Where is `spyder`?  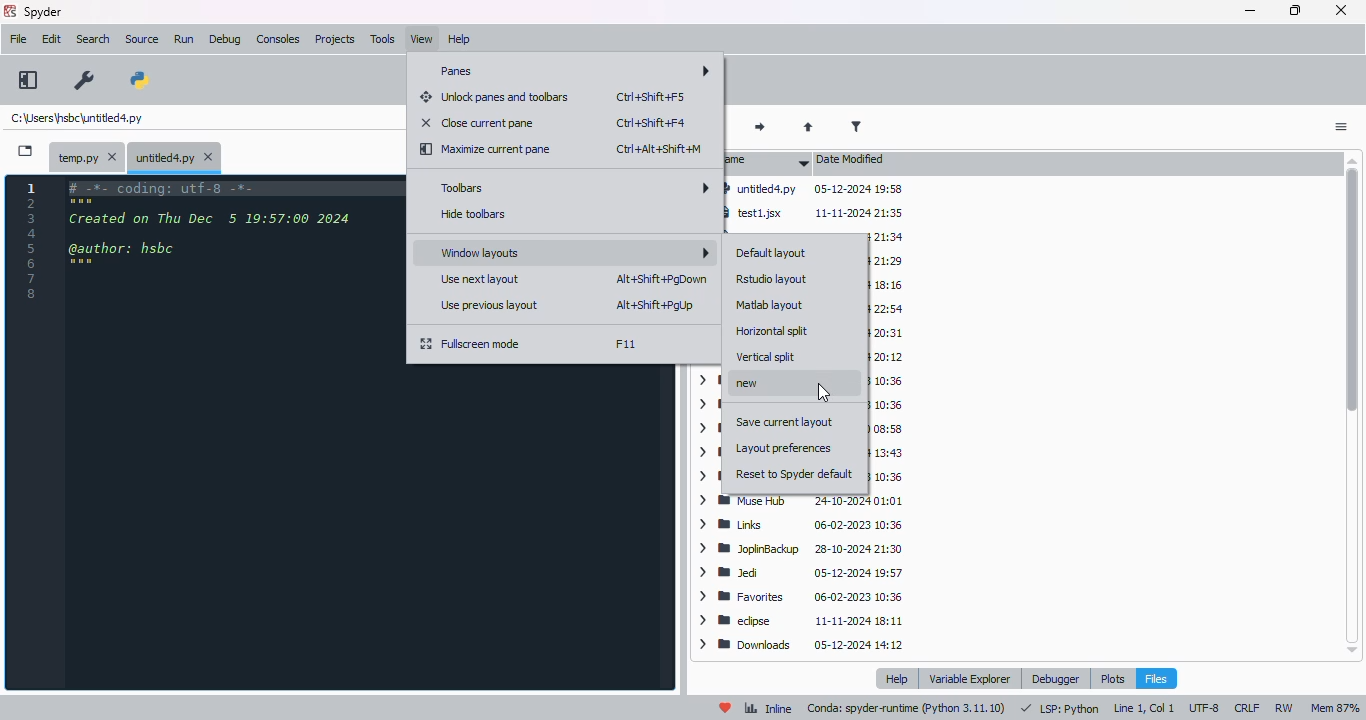 spyder is located at coordinates (44, 11).